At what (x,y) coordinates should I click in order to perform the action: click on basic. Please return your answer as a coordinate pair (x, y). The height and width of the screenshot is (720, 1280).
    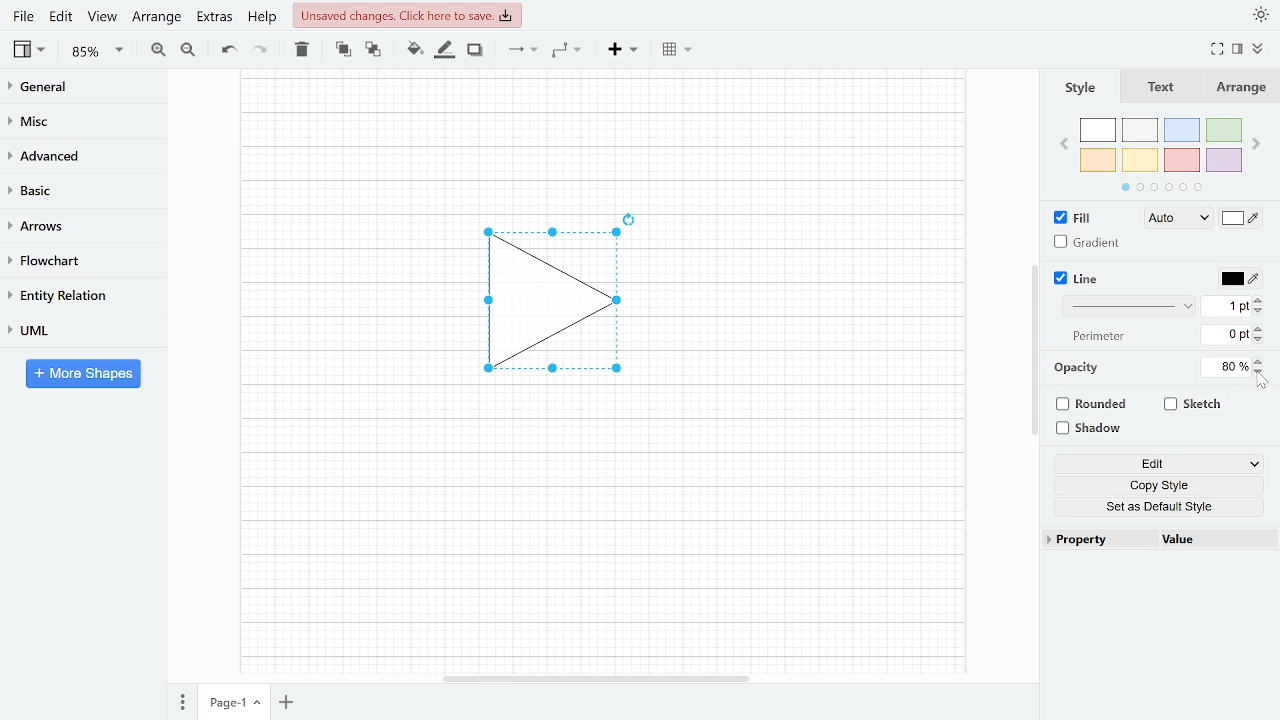
    Looking at the image, I should click on (76, 189).